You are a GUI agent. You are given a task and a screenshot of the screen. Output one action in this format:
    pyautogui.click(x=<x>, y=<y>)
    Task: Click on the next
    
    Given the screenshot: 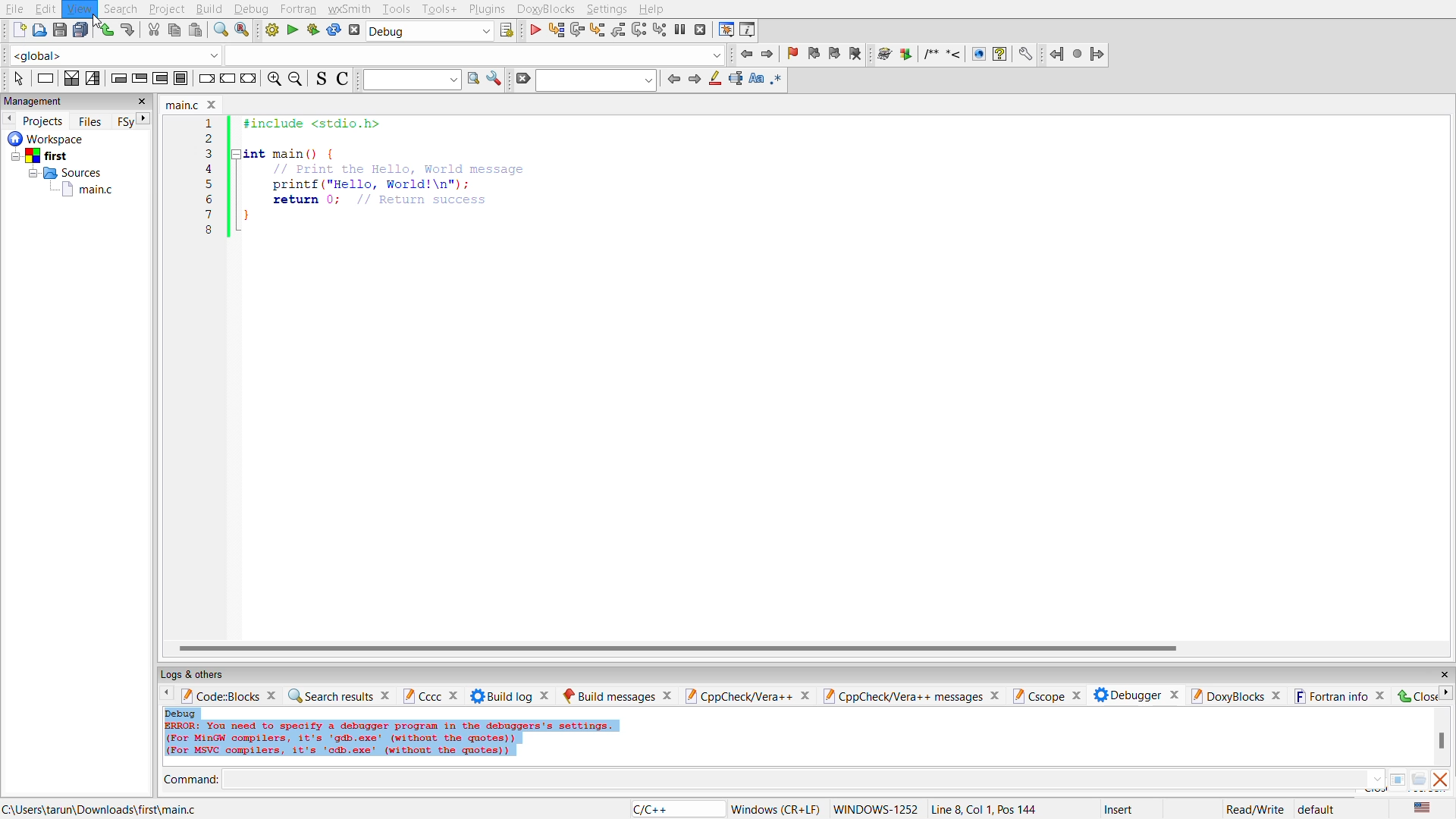 What is the action you would take?
    pyautogui.click(x=1447, y=694)
    